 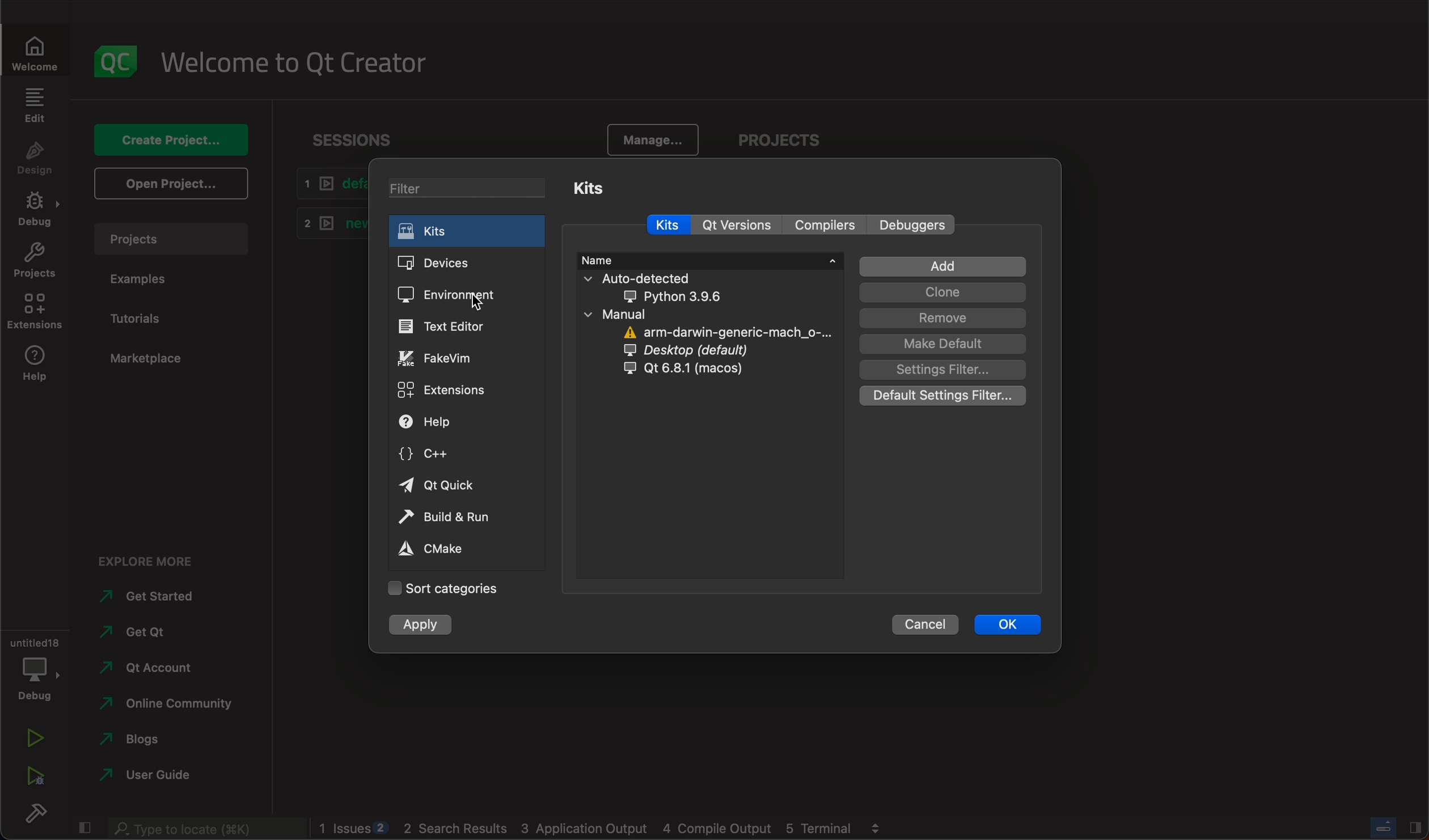 What do you see at coordinates (32, 260) in the screenshot?
I see `projects` at bounding box center [32, 260].